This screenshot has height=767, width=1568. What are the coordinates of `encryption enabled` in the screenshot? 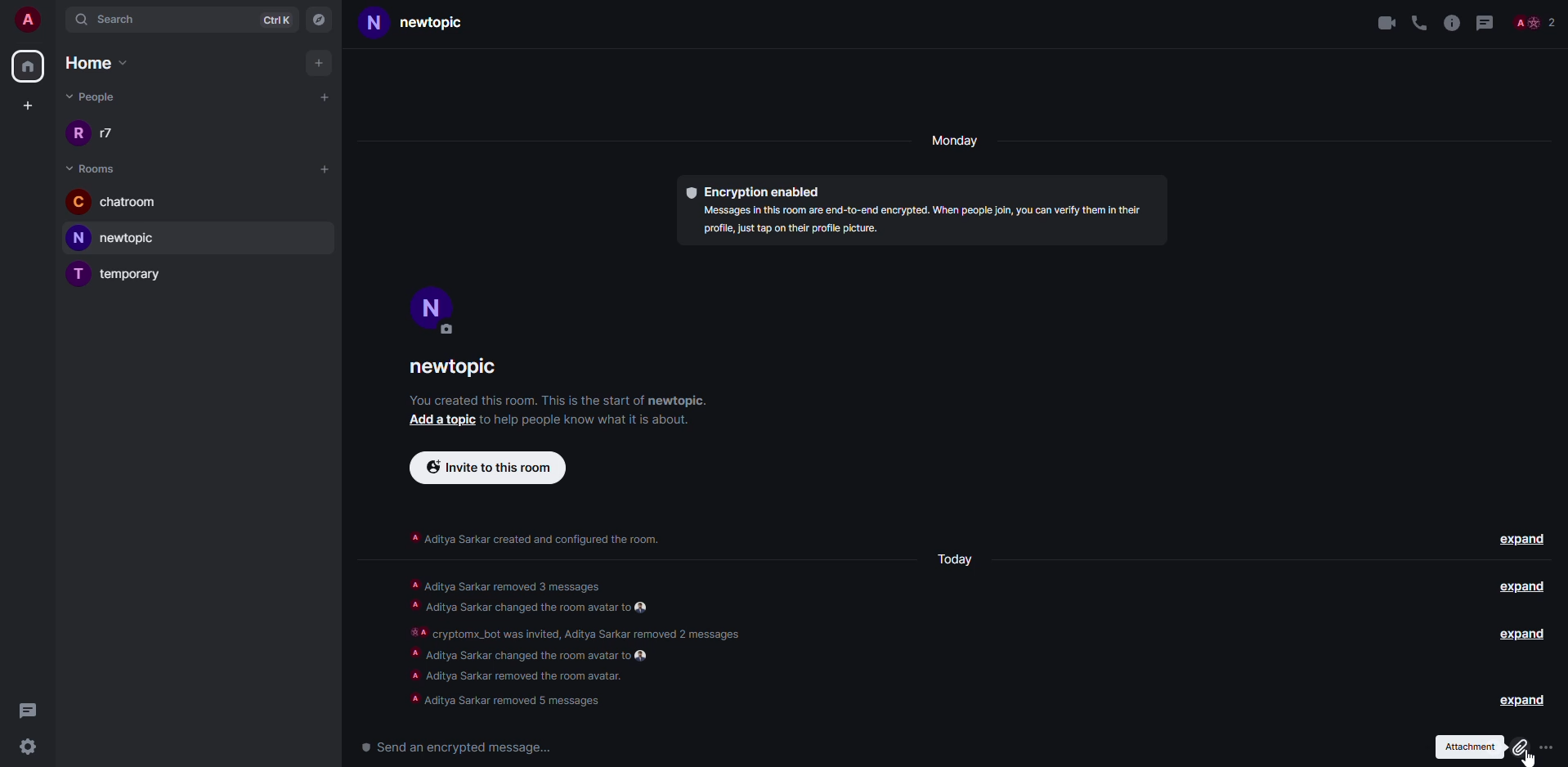 It's located at (755, 191).